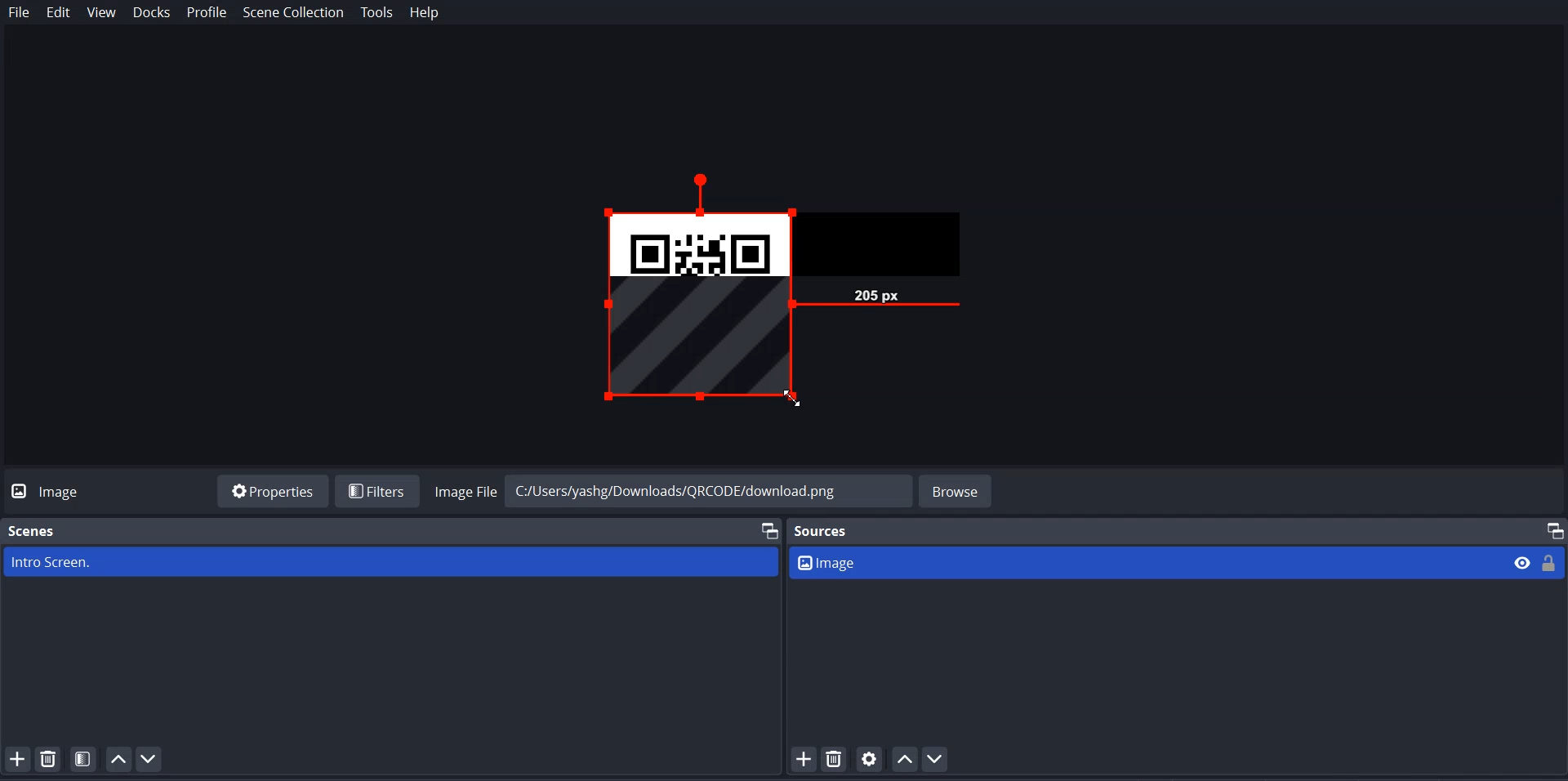 This screenshot has height=781, width=1568. Describe the element at coordinates (84, 759) in the screenshot. I see `Open scene Filter` at that location.